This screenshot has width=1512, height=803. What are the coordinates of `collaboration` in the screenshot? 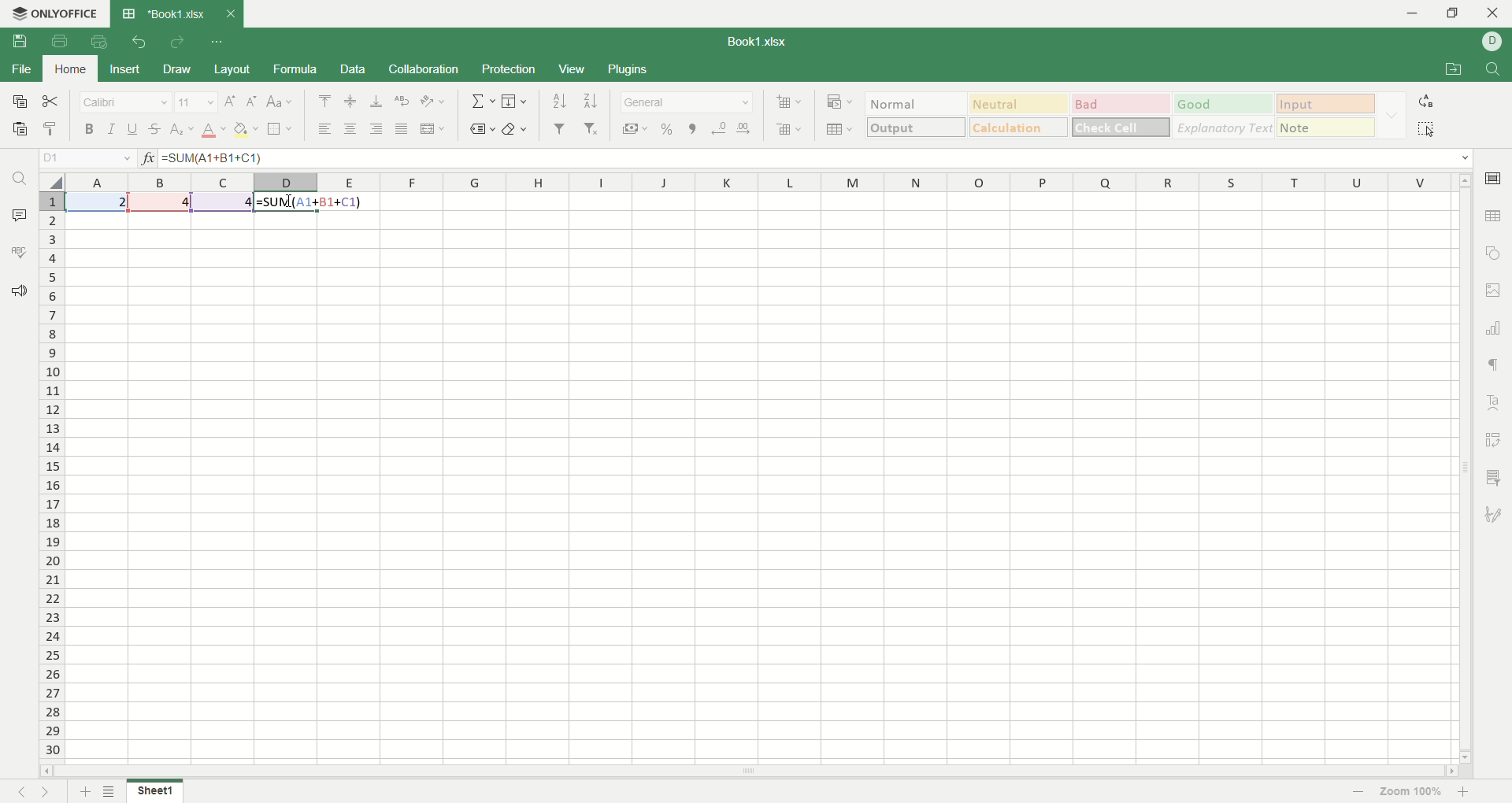 It's located at (426, 68).